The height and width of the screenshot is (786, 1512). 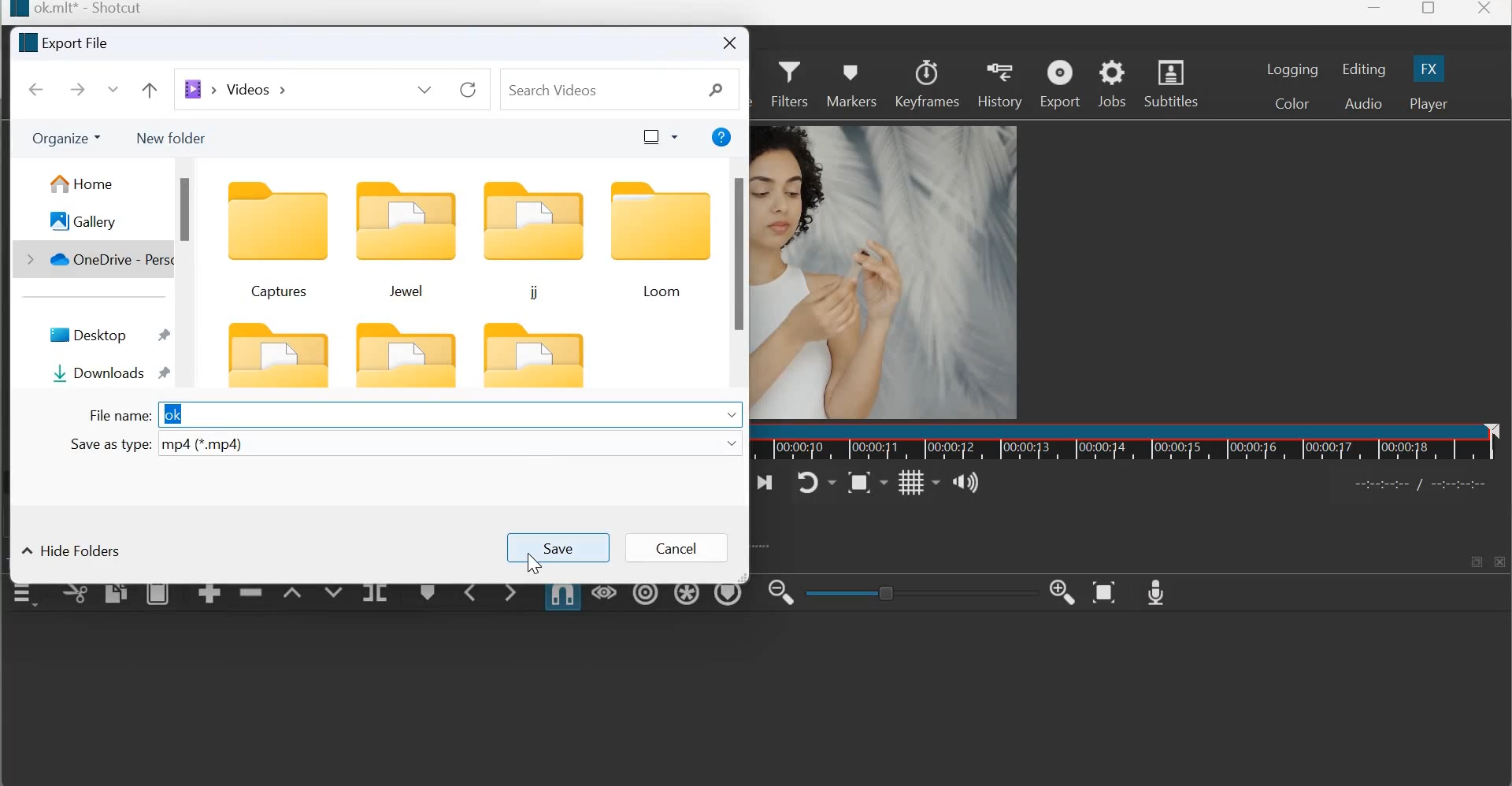 I want to click on Cancel, so click(x=682, y=549).